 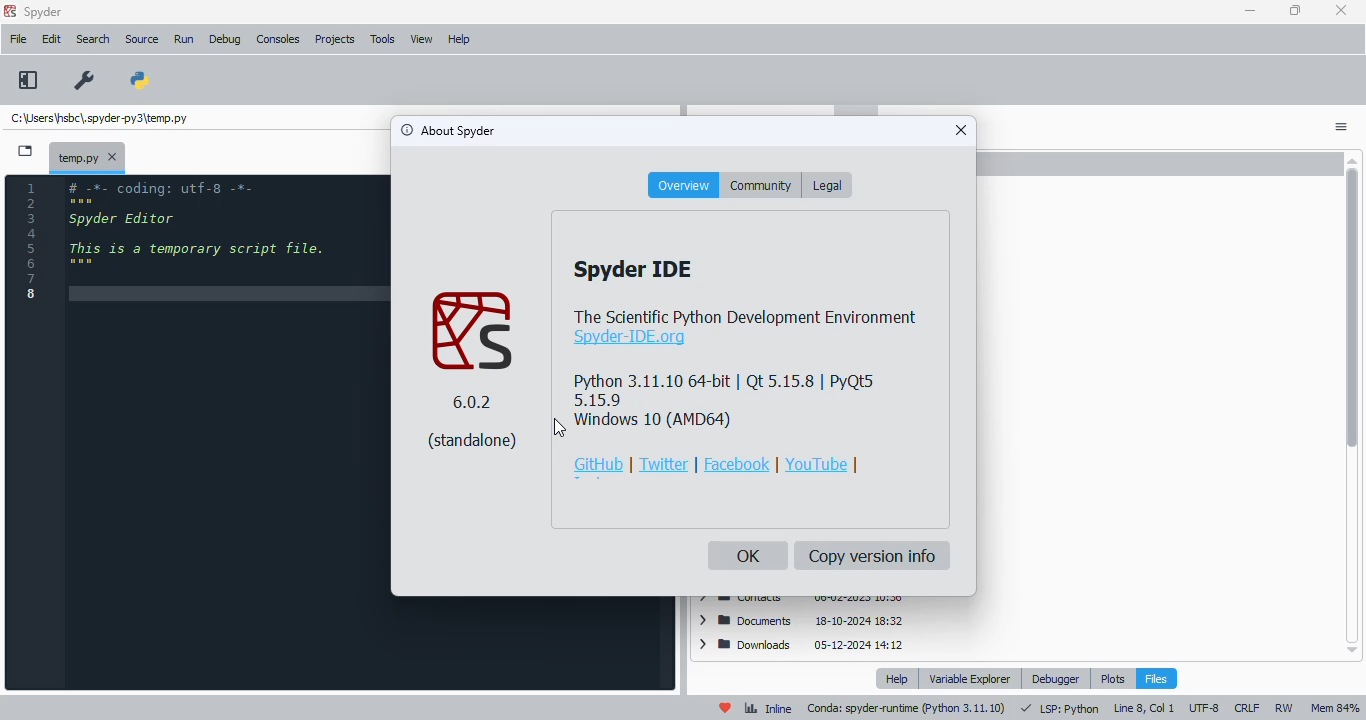 What do you see at coordinates (458, 40) in the screenshot?
I see `help` at bounding box center [458, 40].